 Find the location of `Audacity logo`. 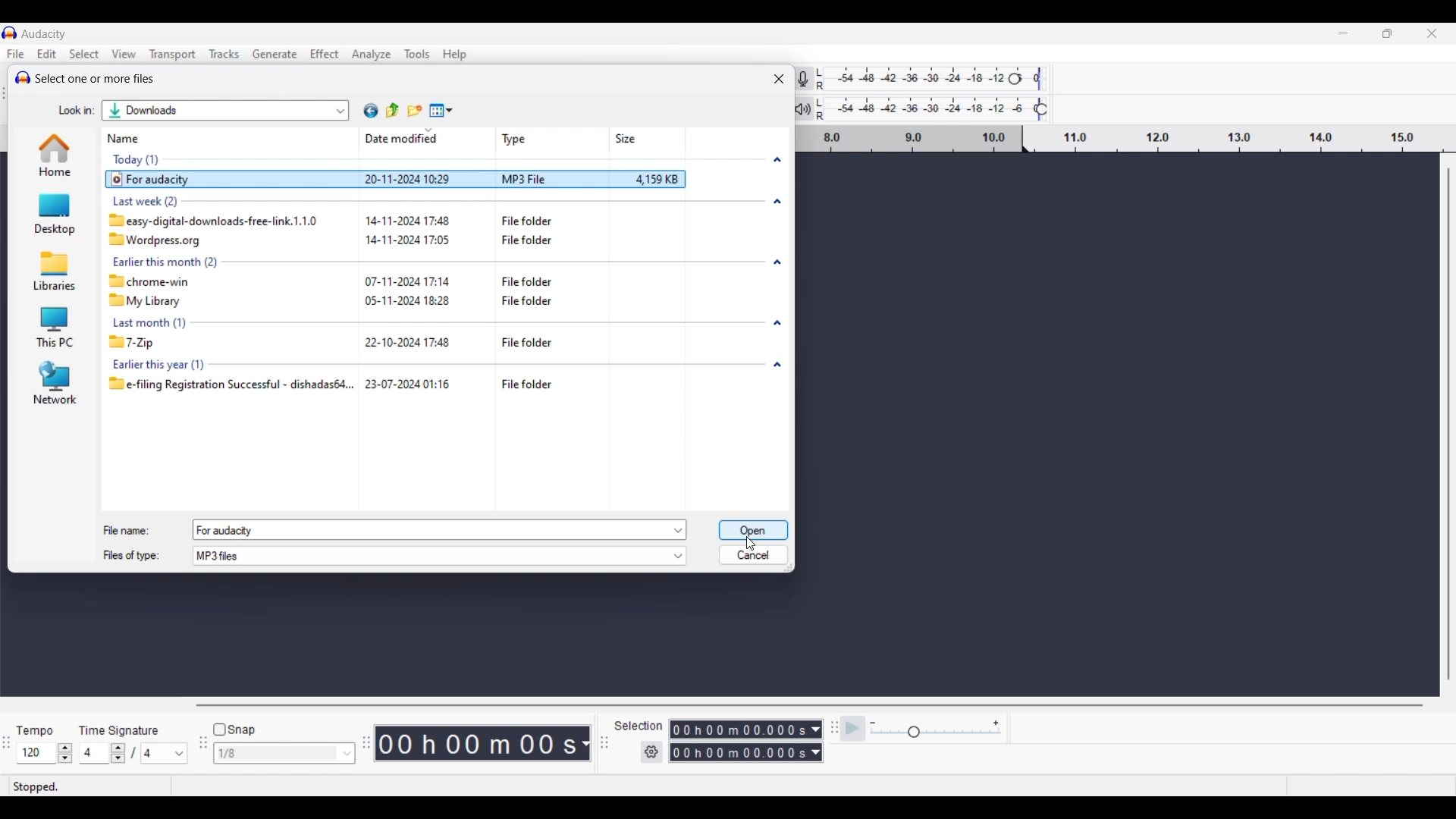

Audacity logo is located at coordinates (20, 76).